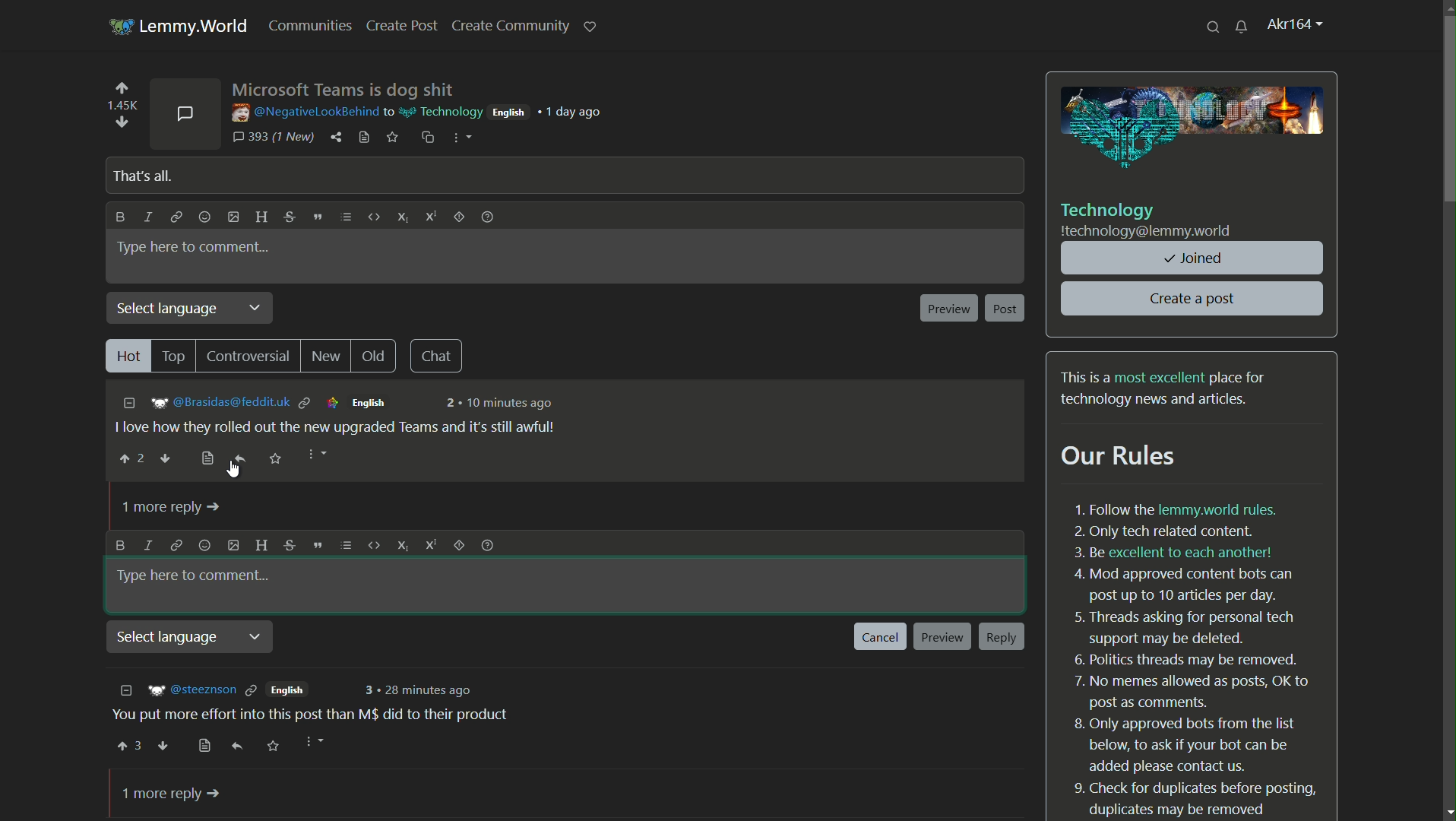 This screenshot has height=821, width=1456. What do you see at coordinates (131, 458) in the screenshot?
I see `upvote` at bounding box center [131, 458].